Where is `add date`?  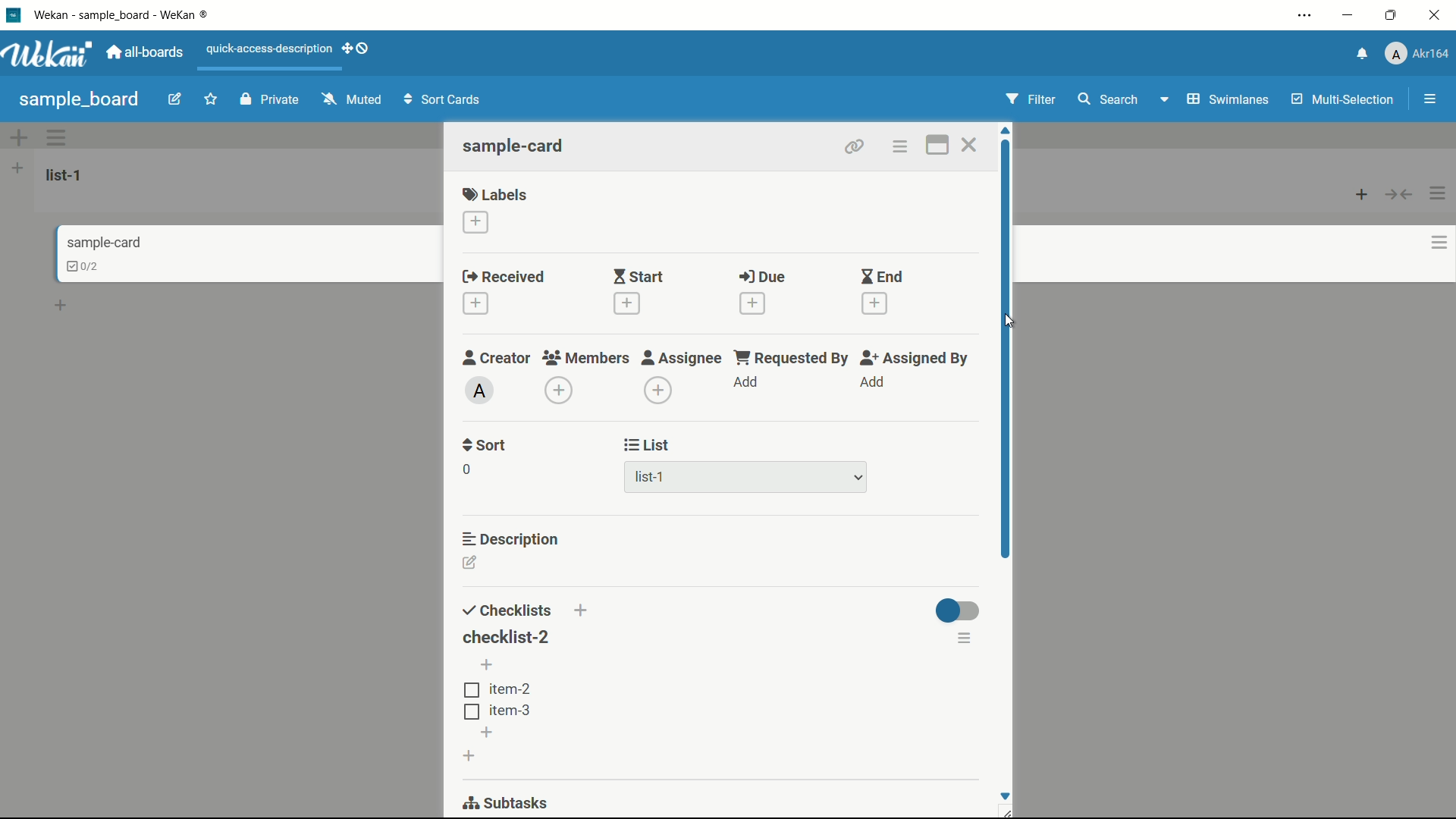
add date is located at coordinates (475, 303).